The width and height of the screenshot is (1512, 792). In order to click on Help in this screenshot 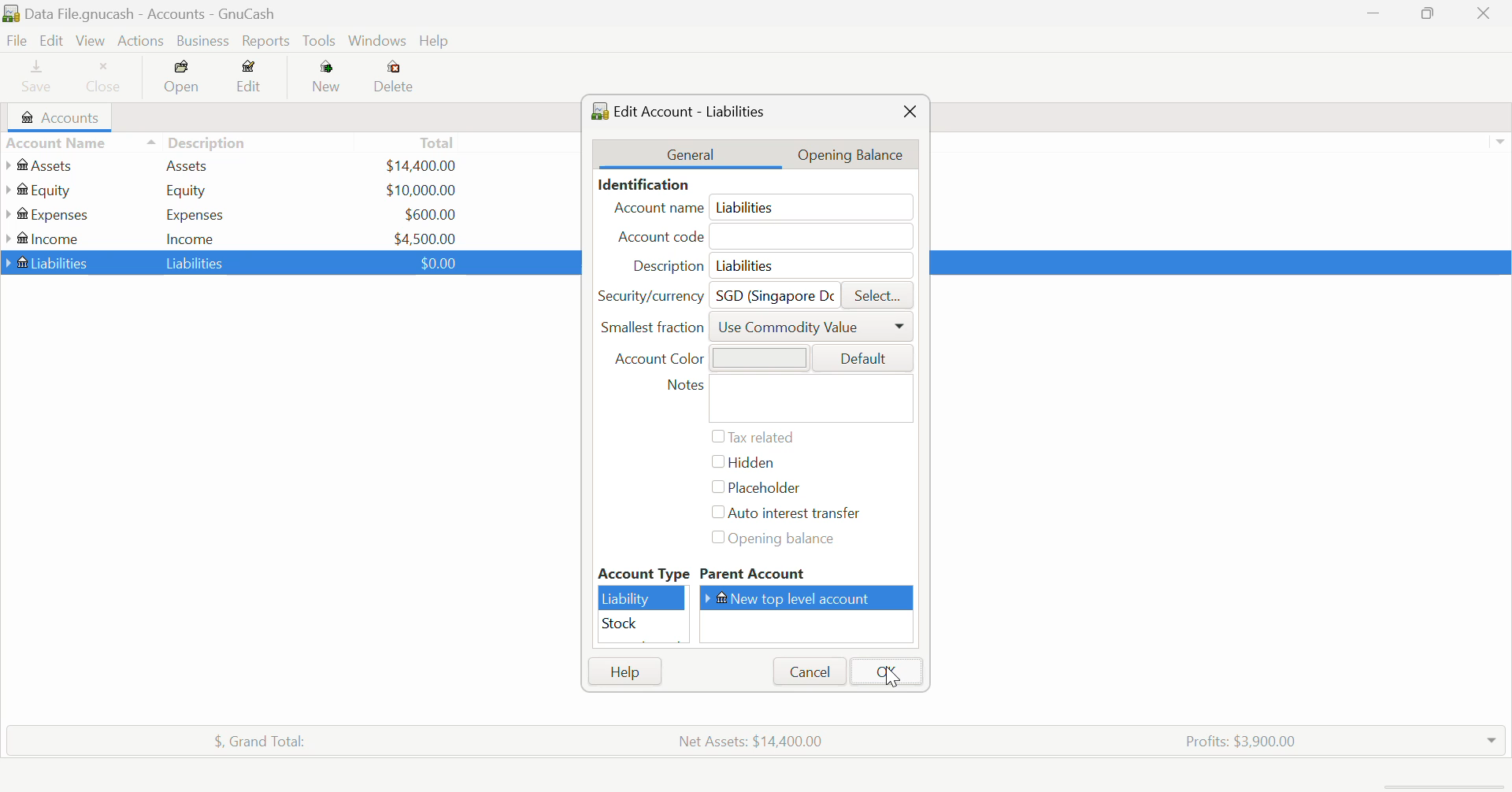, I will do `click(436, 42)`.